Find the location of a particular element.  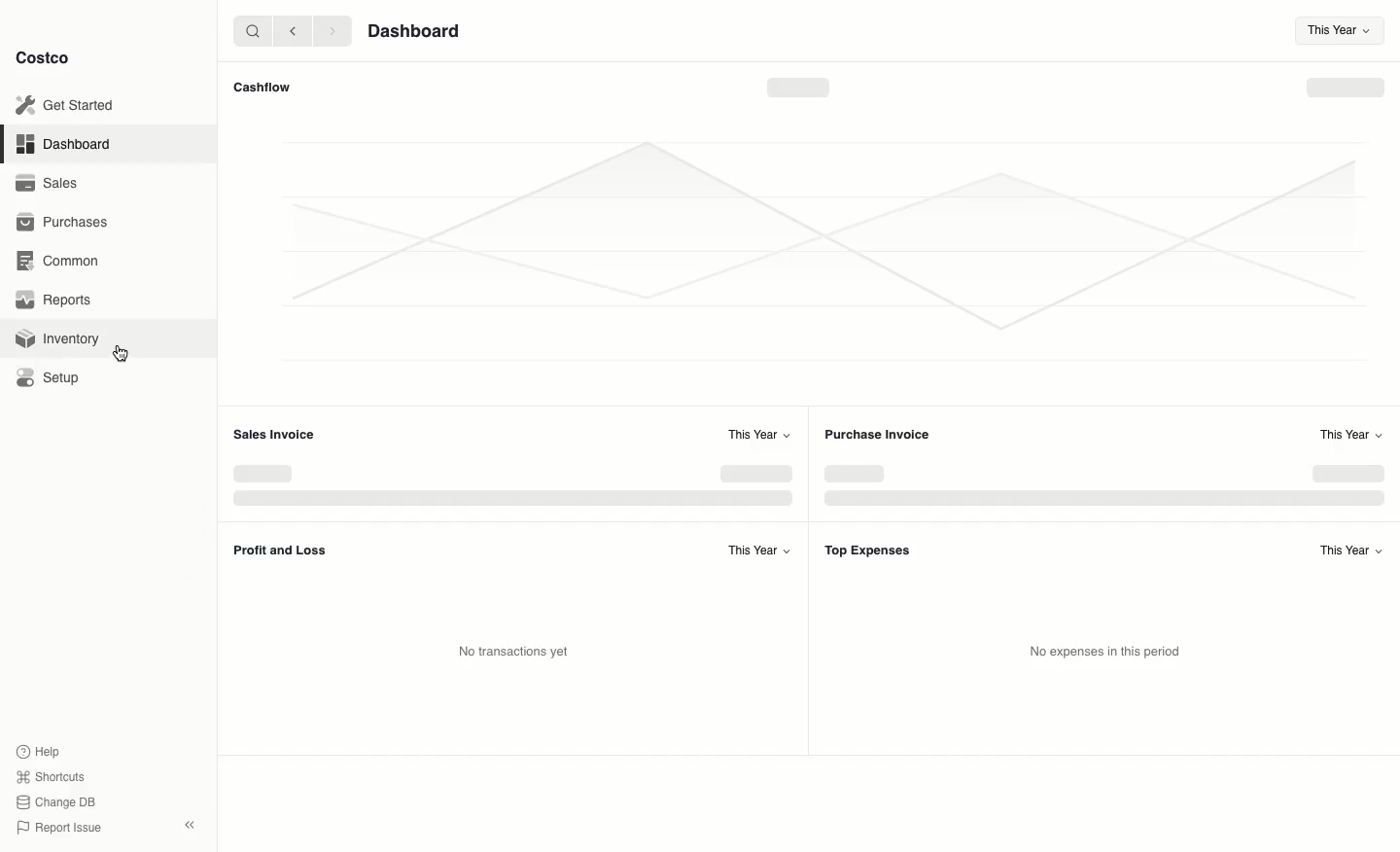

Costco is located at coordinates (44, 58).